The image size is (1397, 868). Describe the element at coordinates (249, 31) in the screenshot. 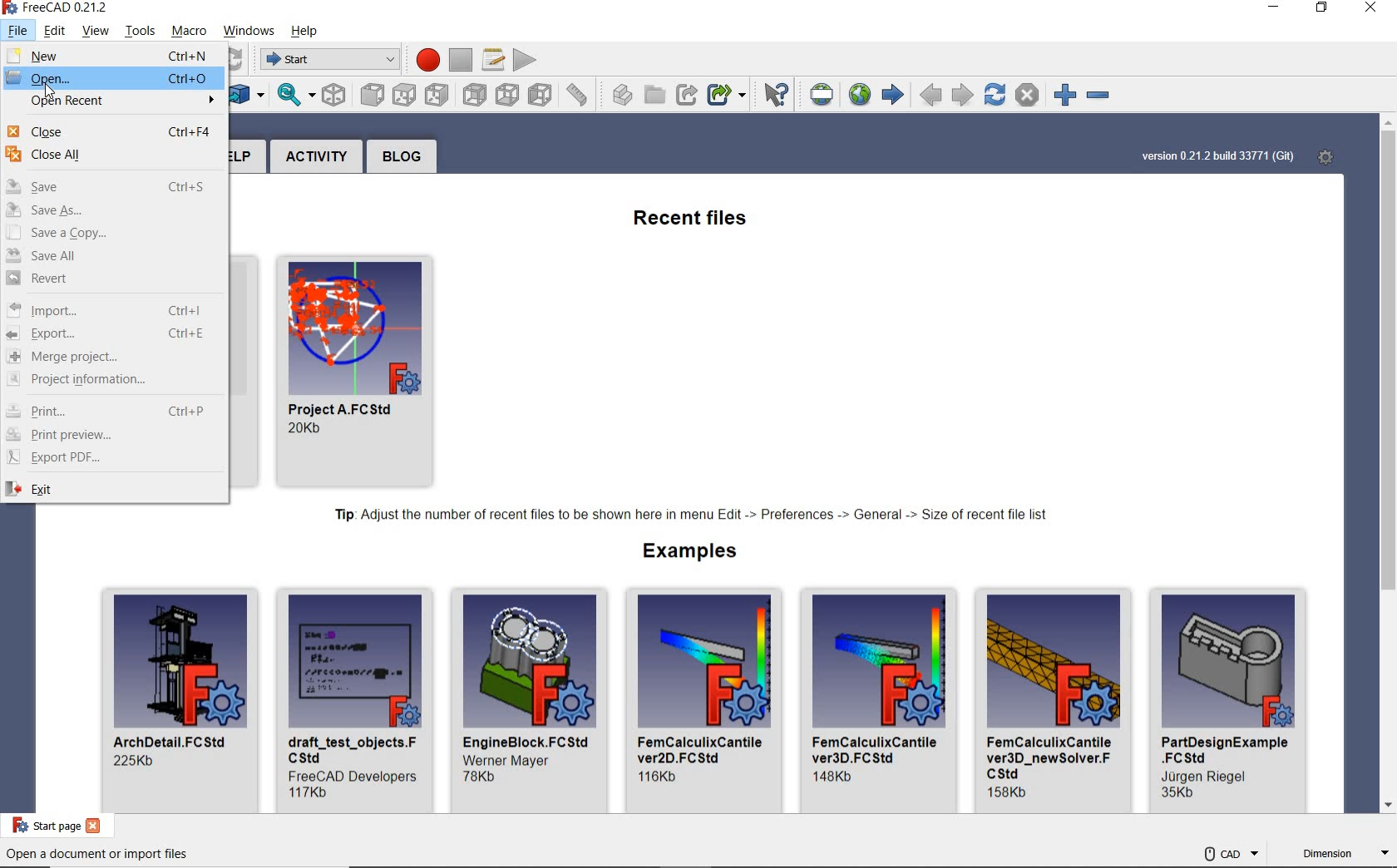

I see `WINDOWS` at that location.